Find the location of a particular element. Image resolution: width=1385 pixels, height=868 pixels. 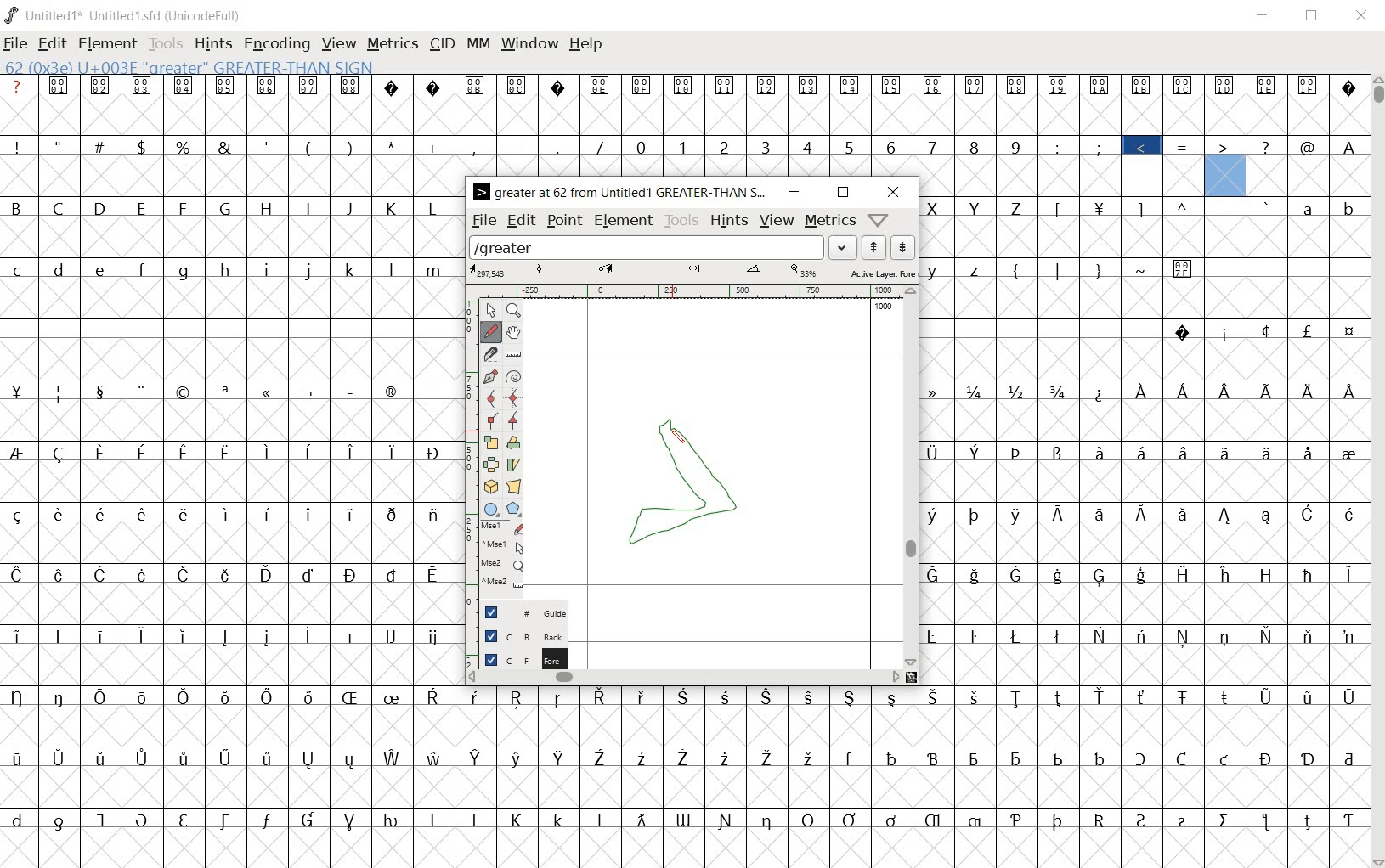

mse1 mse1 mse2 mse2 is located at coordinates (503, 555).